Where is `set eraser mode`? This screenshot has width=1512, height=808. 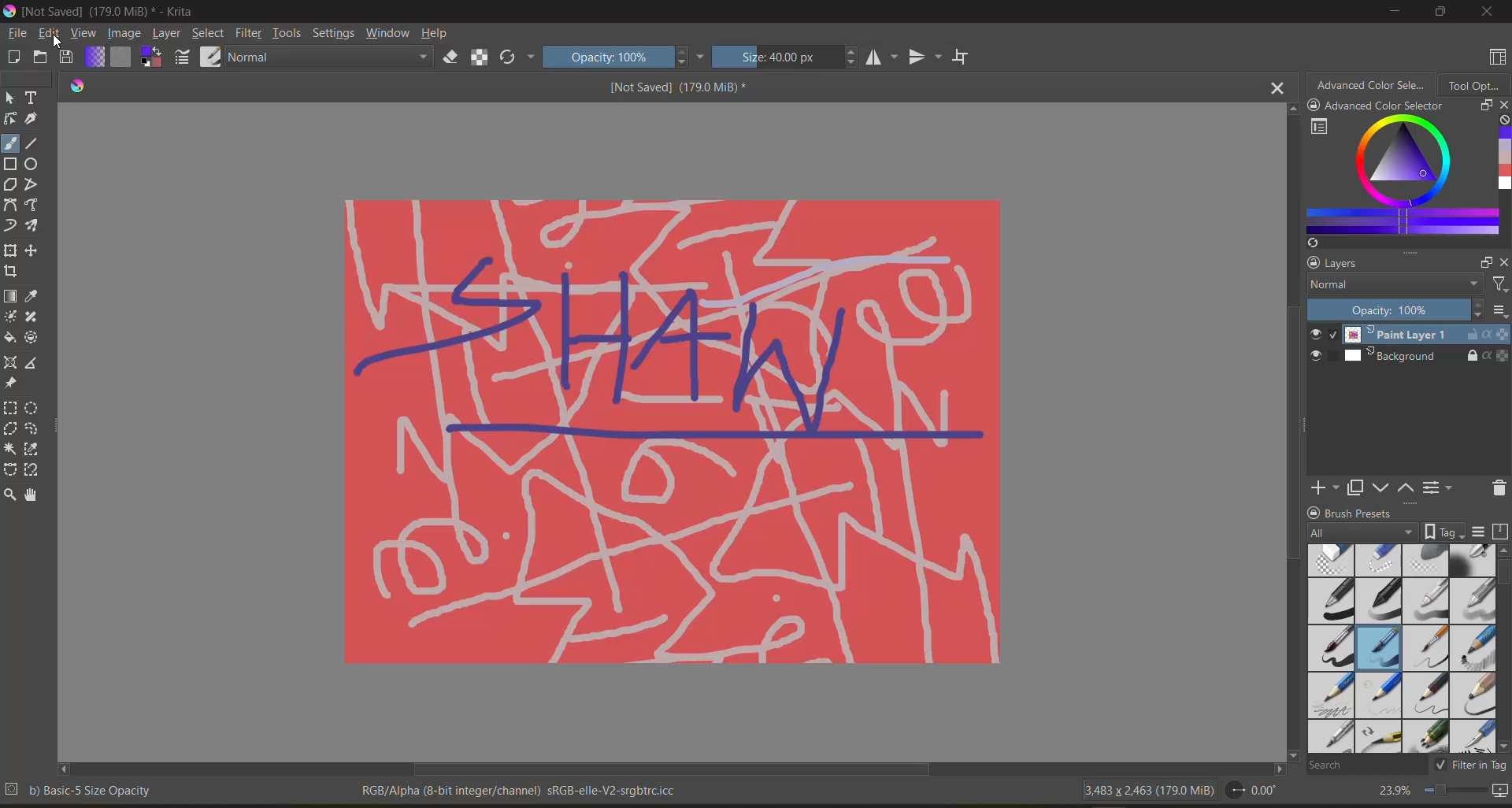 set eraser mode is located at coordinates (451, 59).